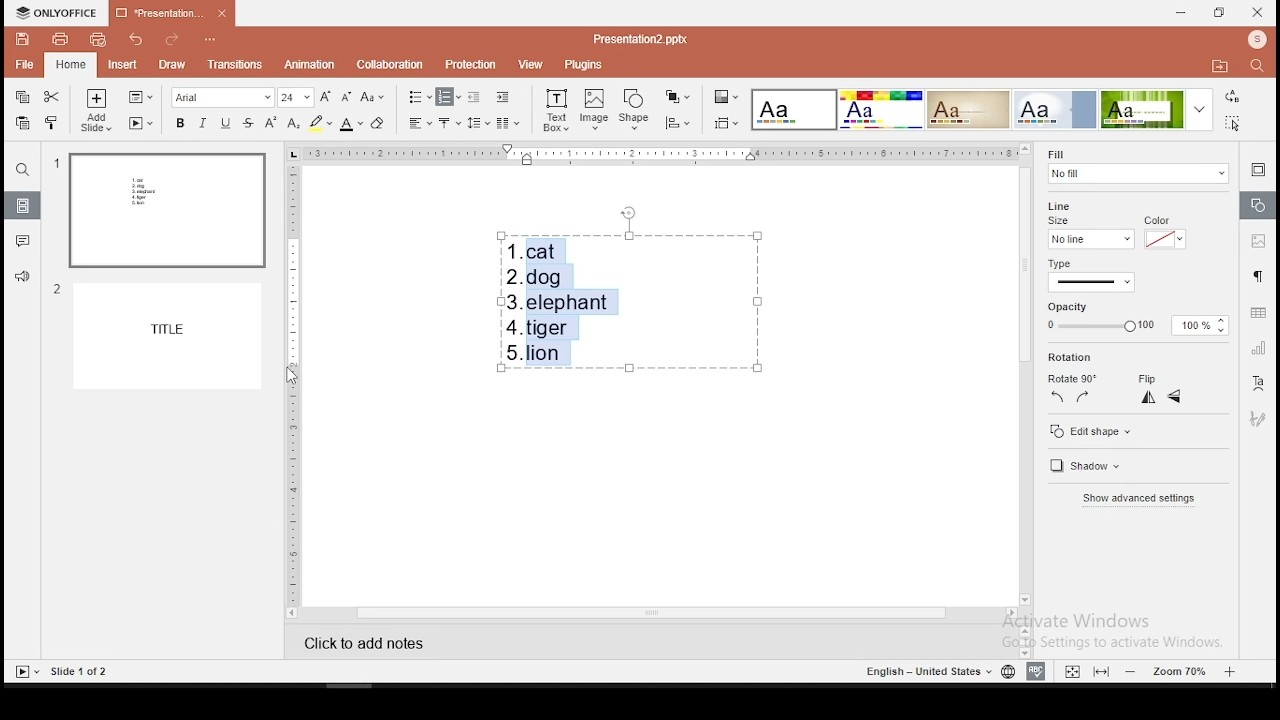 The height and width of the screenshot is (720, 1280). Describe the element at coordinates (292, 124) in the screenshot. I see `subscript` at that location.